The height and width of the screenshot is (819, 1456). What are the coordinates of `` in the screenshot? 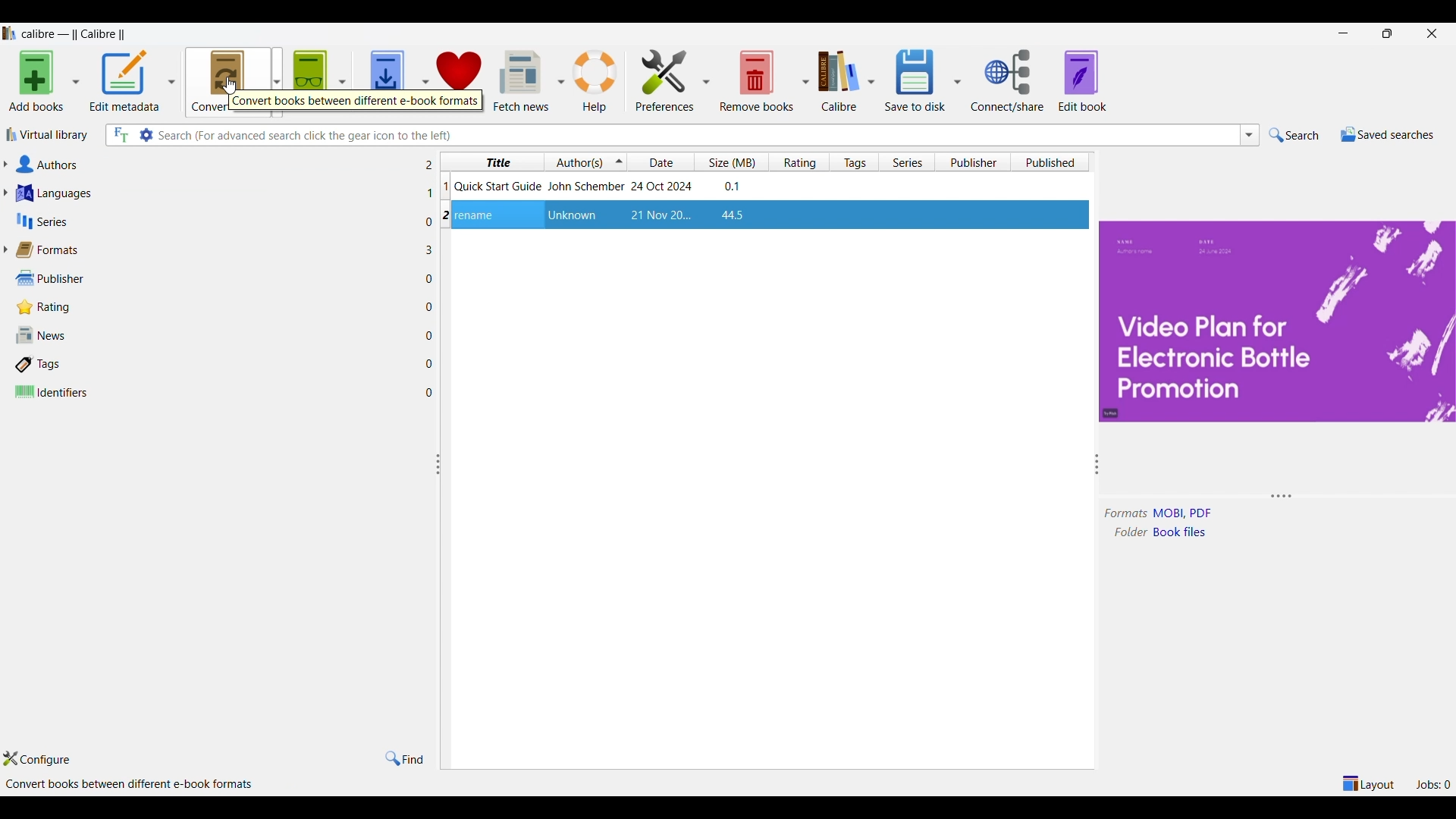 It's located at (170, 80).